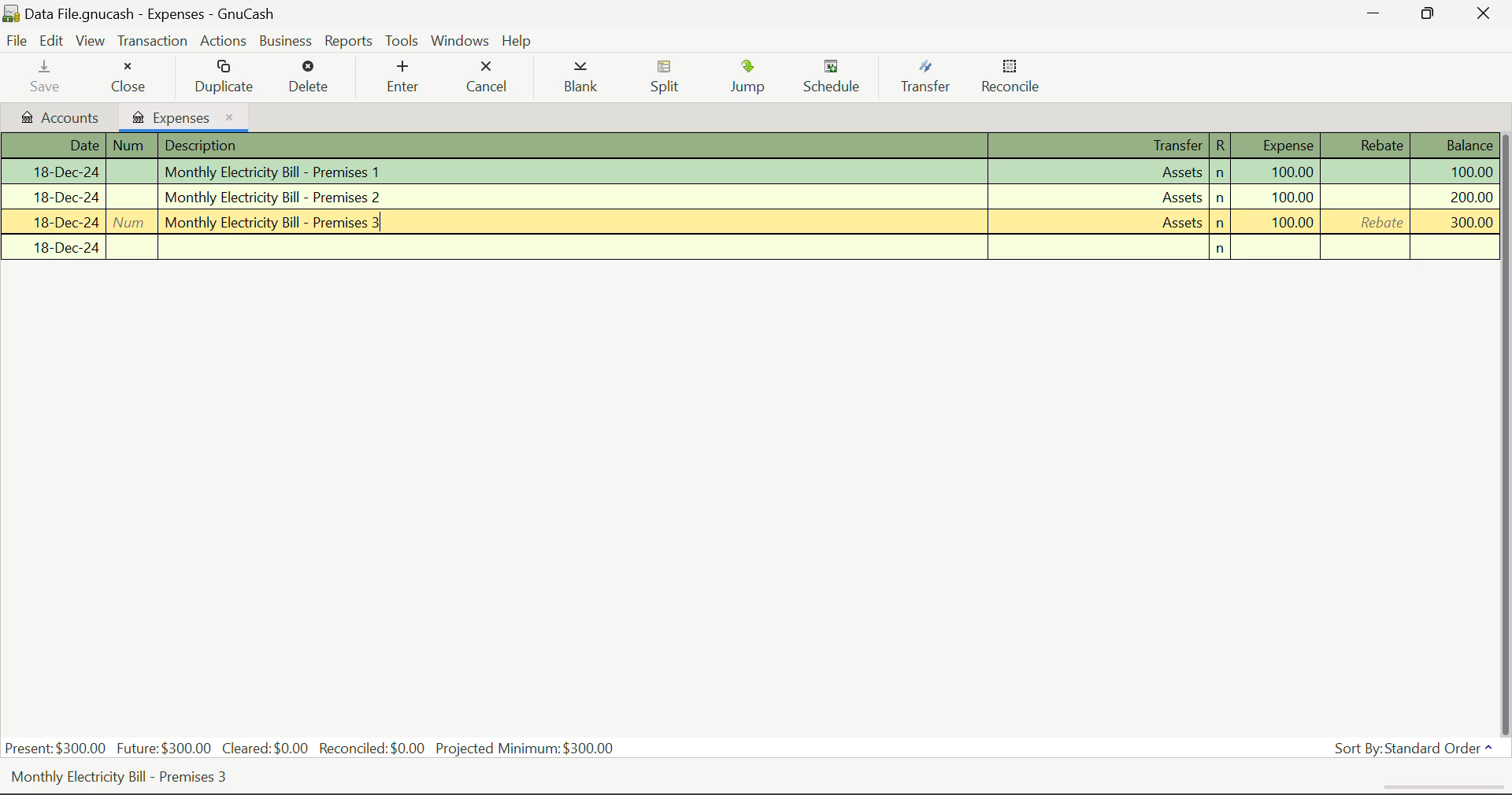 The image size is (1512, 795). I want to click on Help, so click(519, 39).